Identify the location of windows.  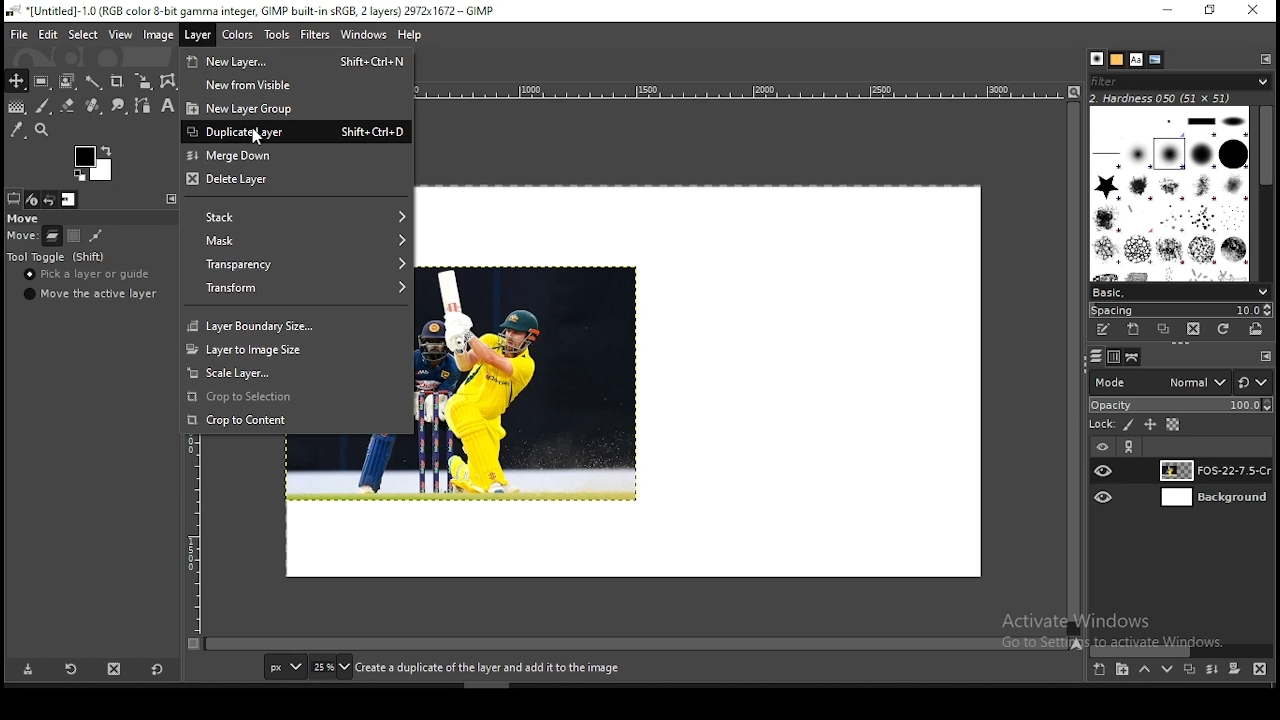
(363, 35).